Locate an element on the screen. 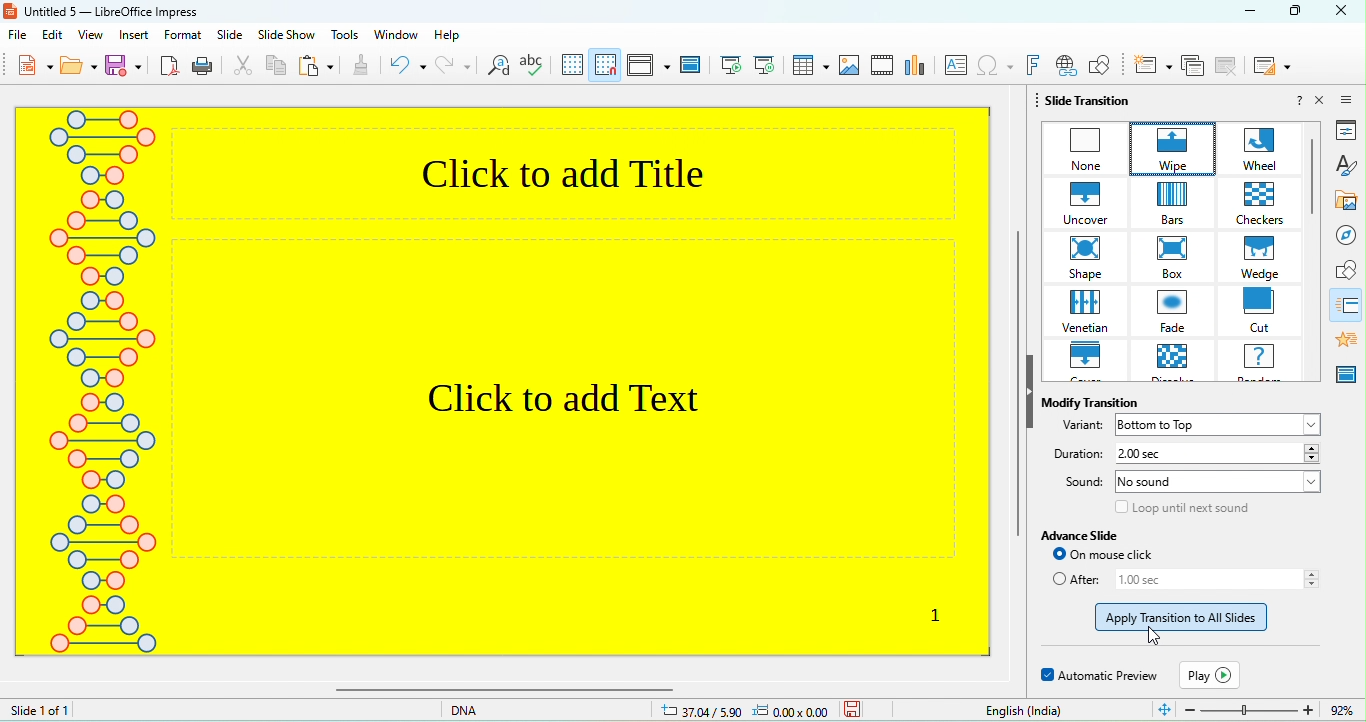 The height and width of the screenshot is (722, 1366). vedio is located at coordinates (883, 65).